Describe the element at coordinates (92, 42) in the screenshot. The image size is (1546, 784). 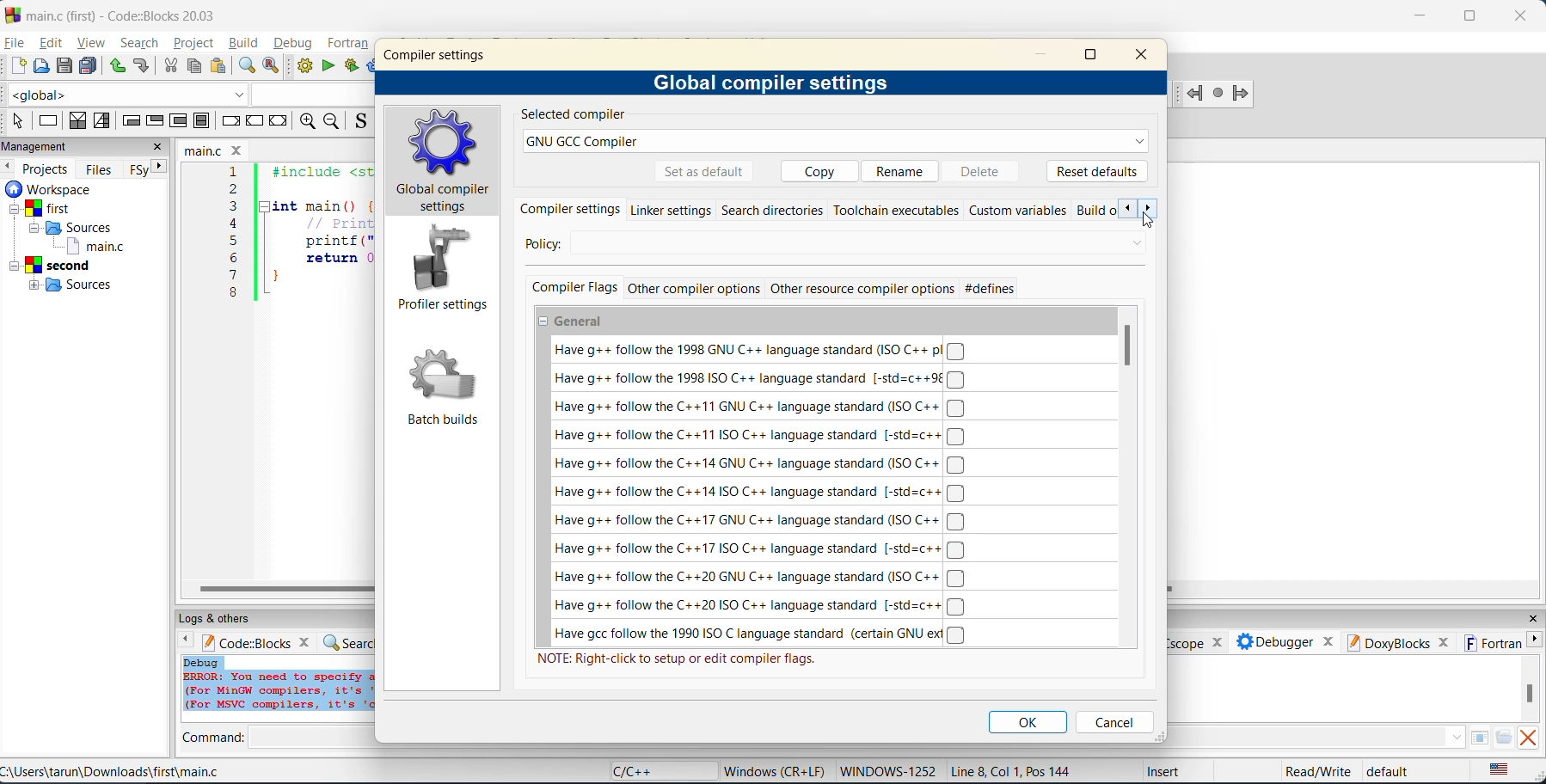
I see `view` at that location.